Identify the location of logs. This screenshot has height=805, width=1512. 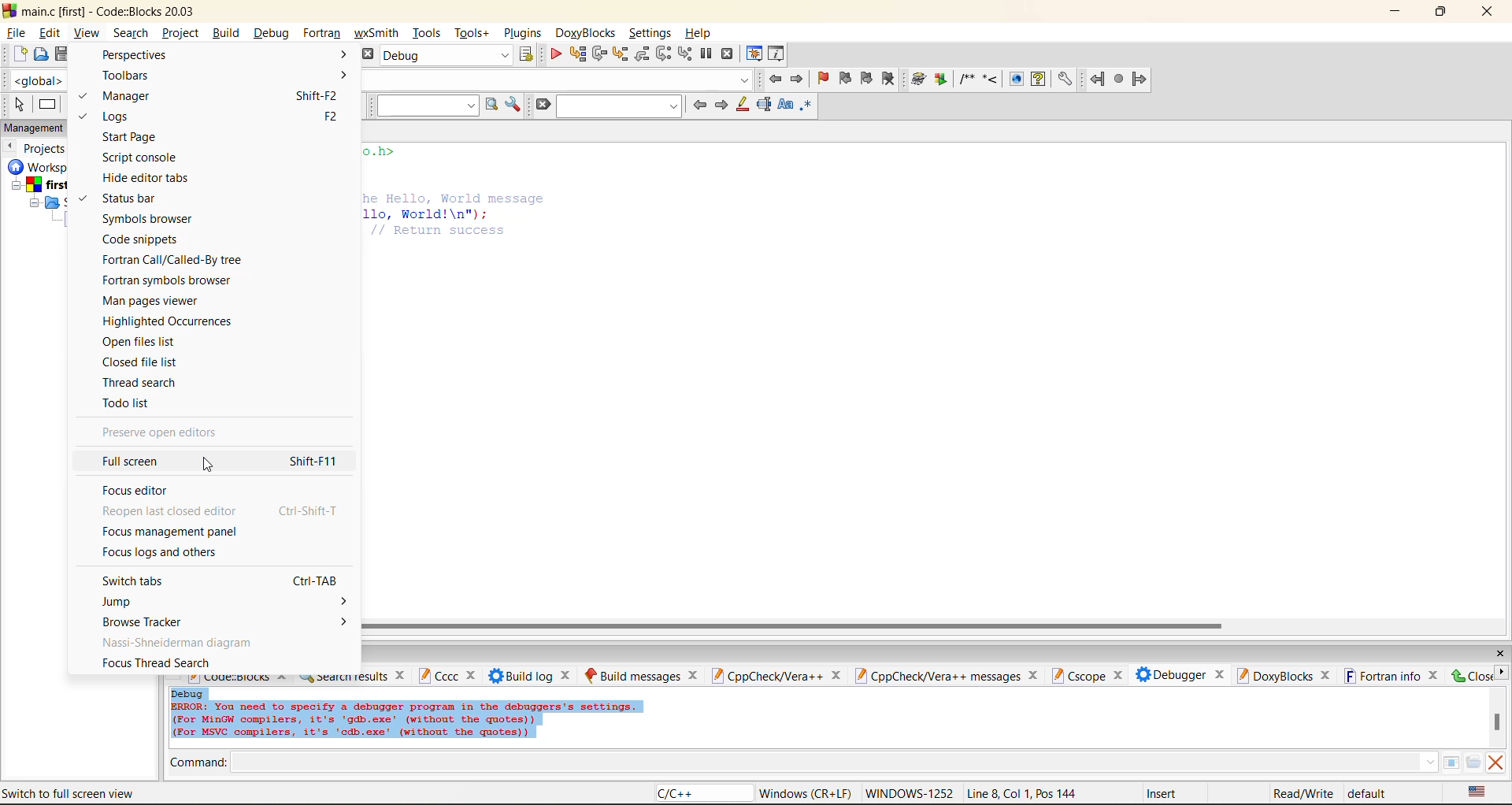
(219, 117).